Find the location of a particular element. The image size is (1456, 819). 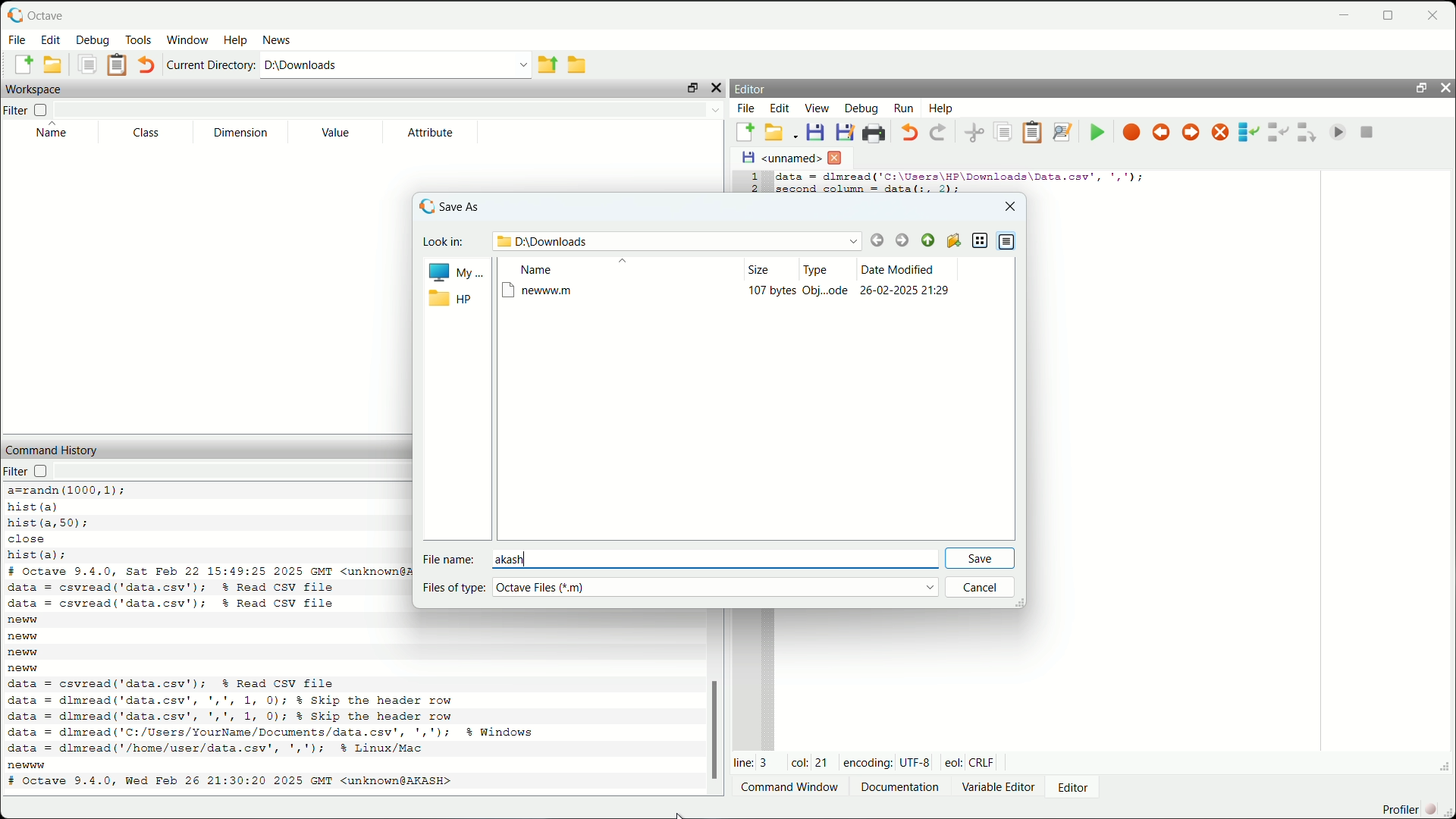

open an existing file in editor is located at coordinates (781, 135).